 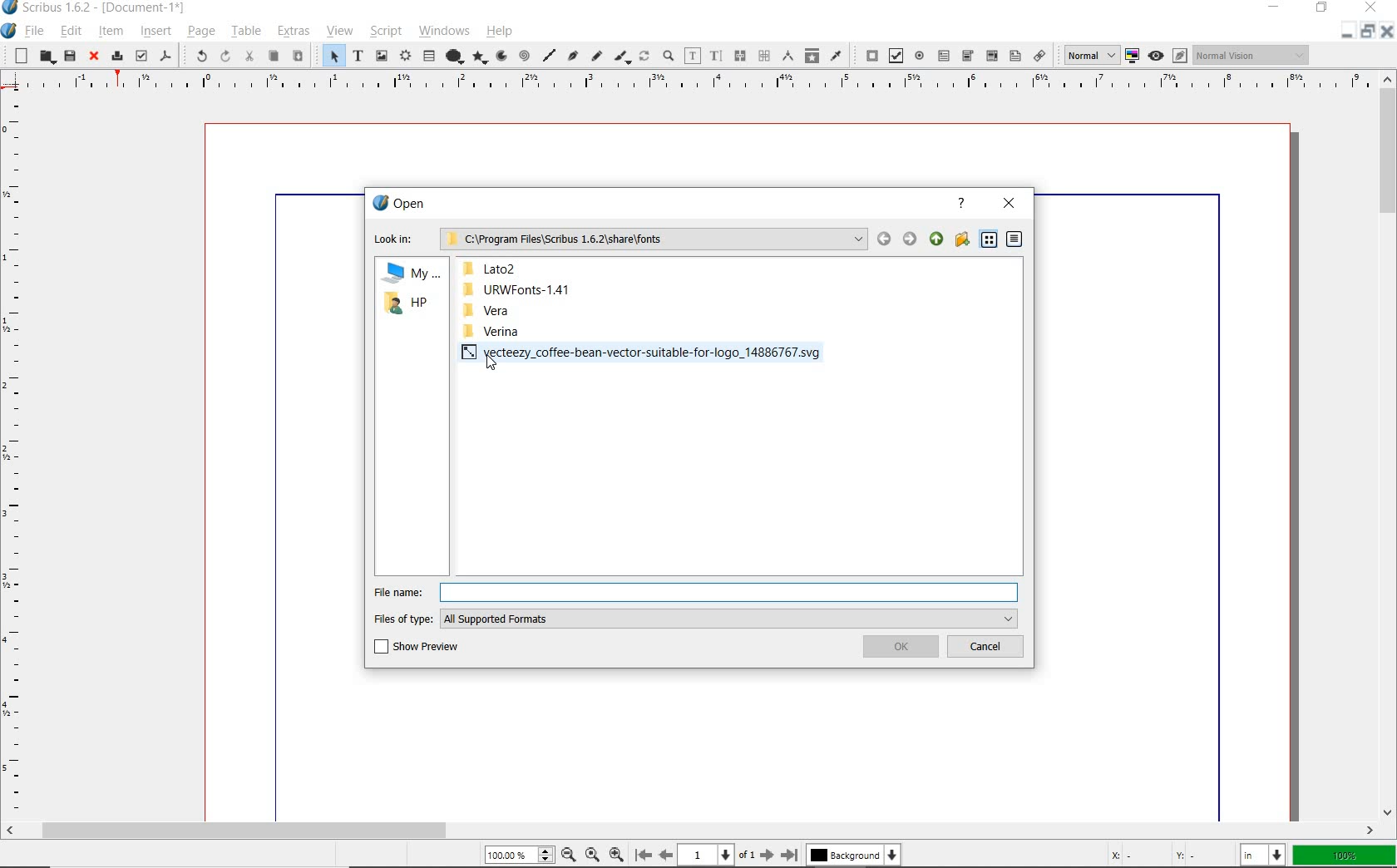 I want to click on edit text with story editor, so click(x=716, y=56).